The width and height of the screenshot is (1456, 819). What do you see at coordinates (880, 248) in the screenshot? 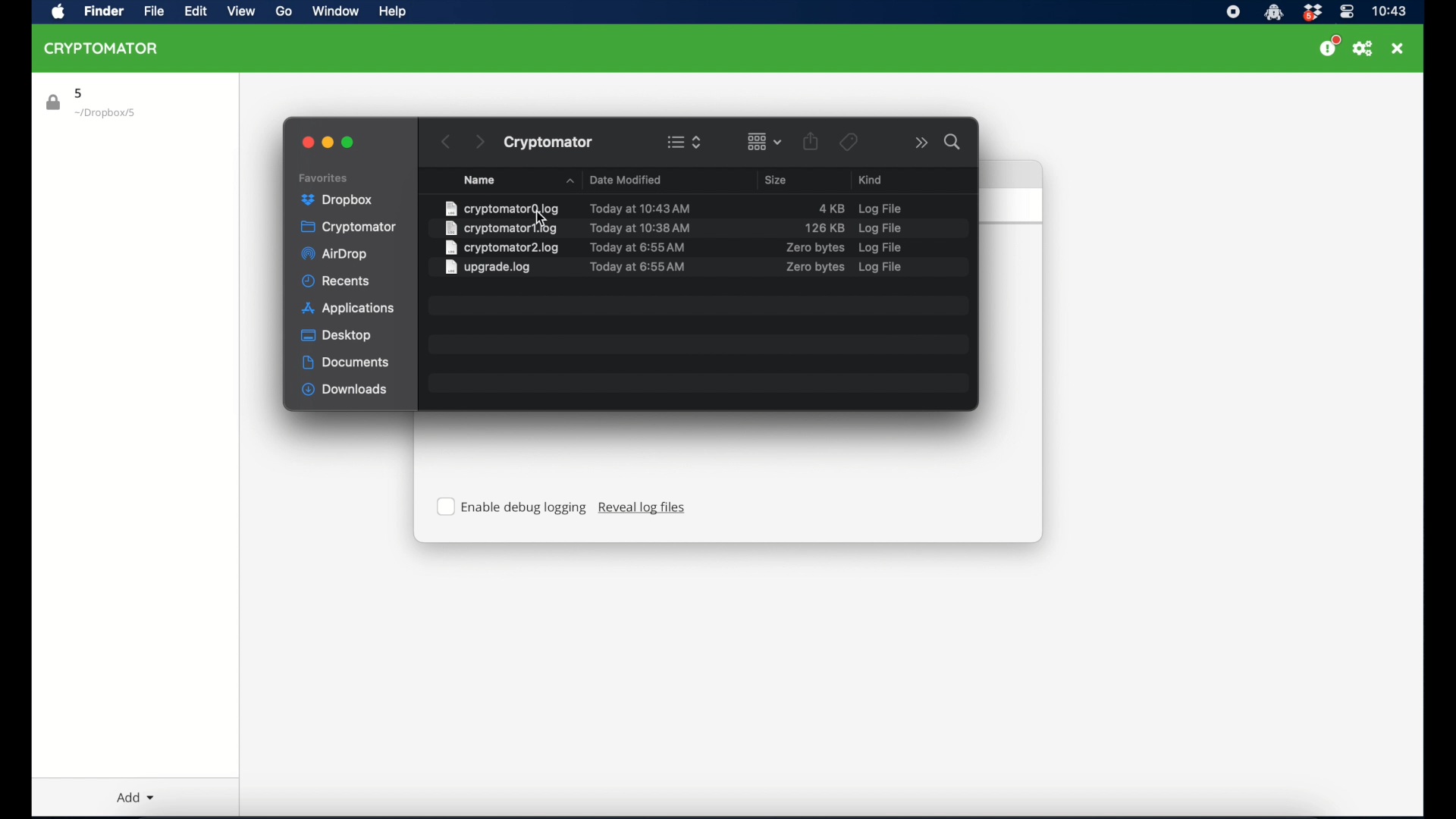
I see `log file` at bounding box center [880, 248].